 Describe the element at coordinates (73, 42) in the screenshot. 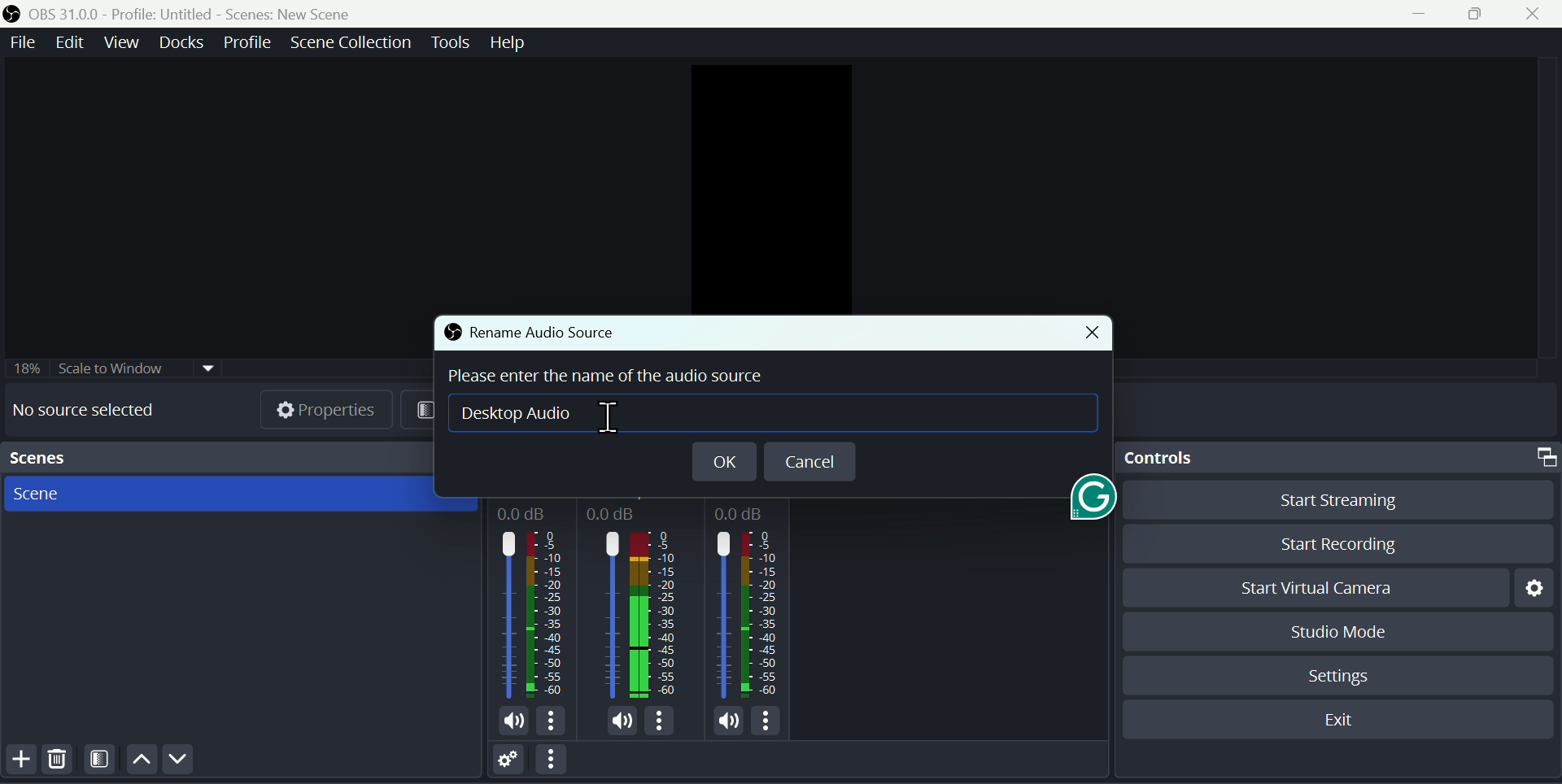

I see `Edit` at that location.